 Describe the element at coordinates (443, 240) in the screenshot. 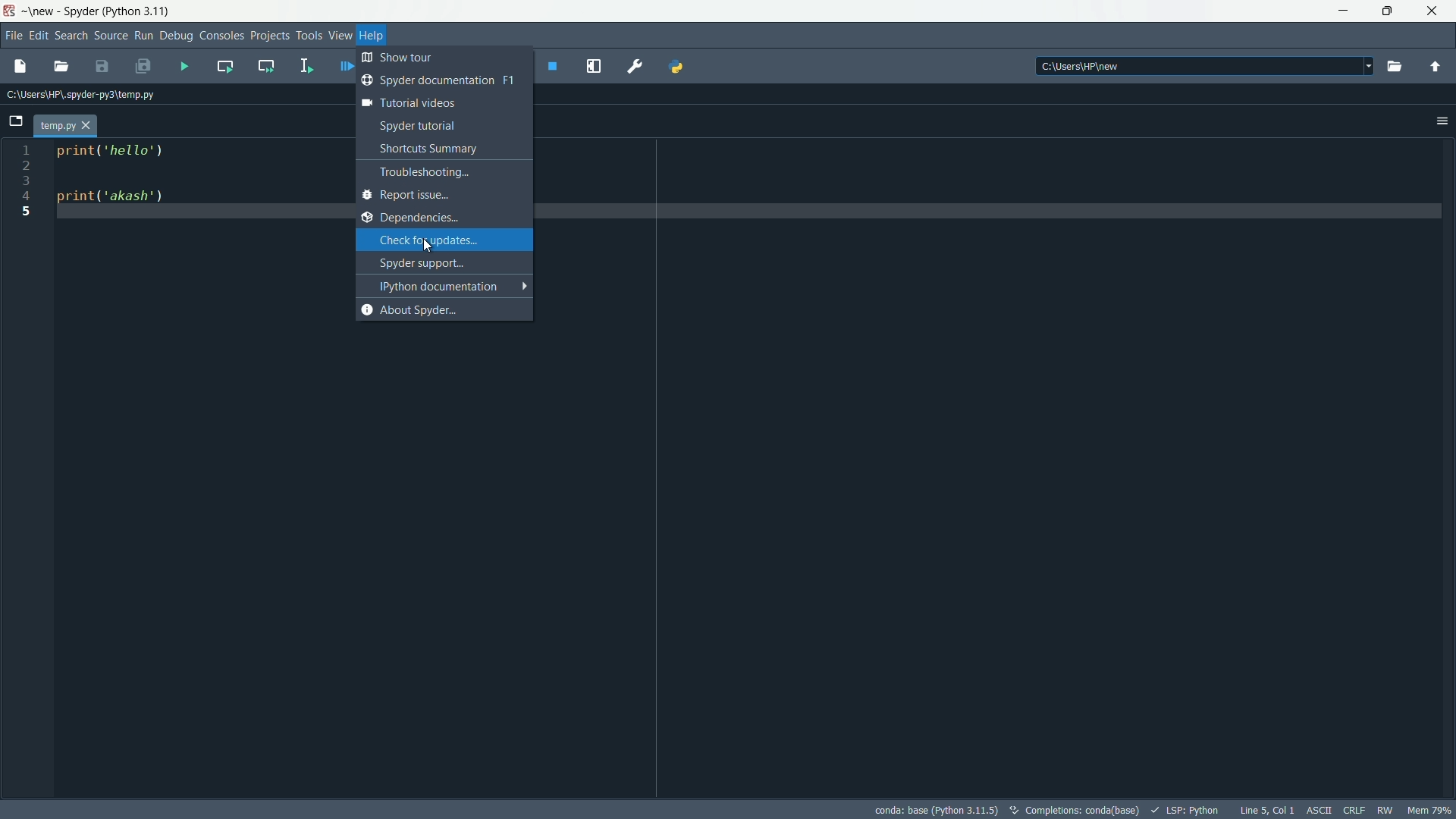

I see `check for updates` at that location.